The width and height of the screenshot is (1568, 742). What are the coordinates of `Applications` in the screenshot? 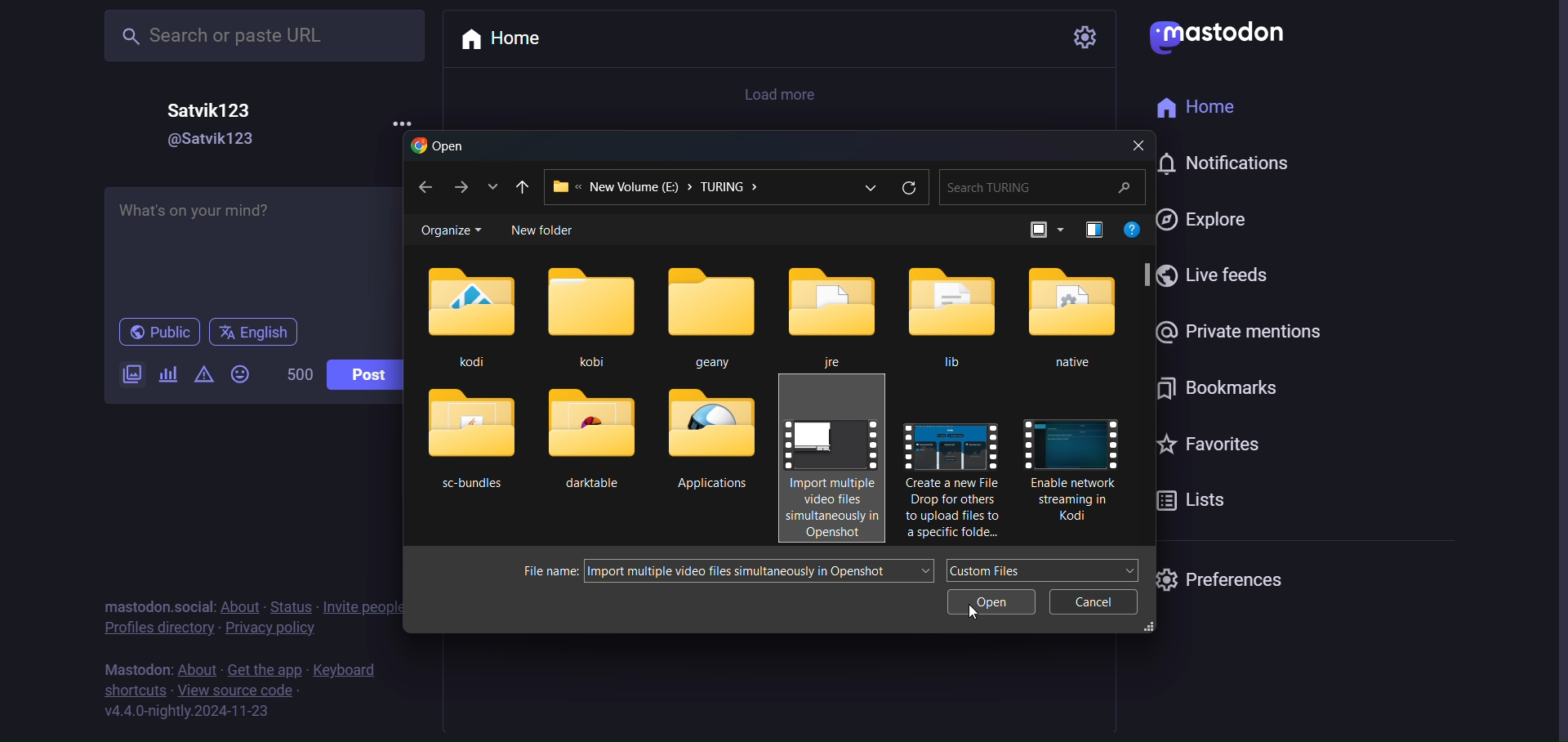 It's located at (719, 442).